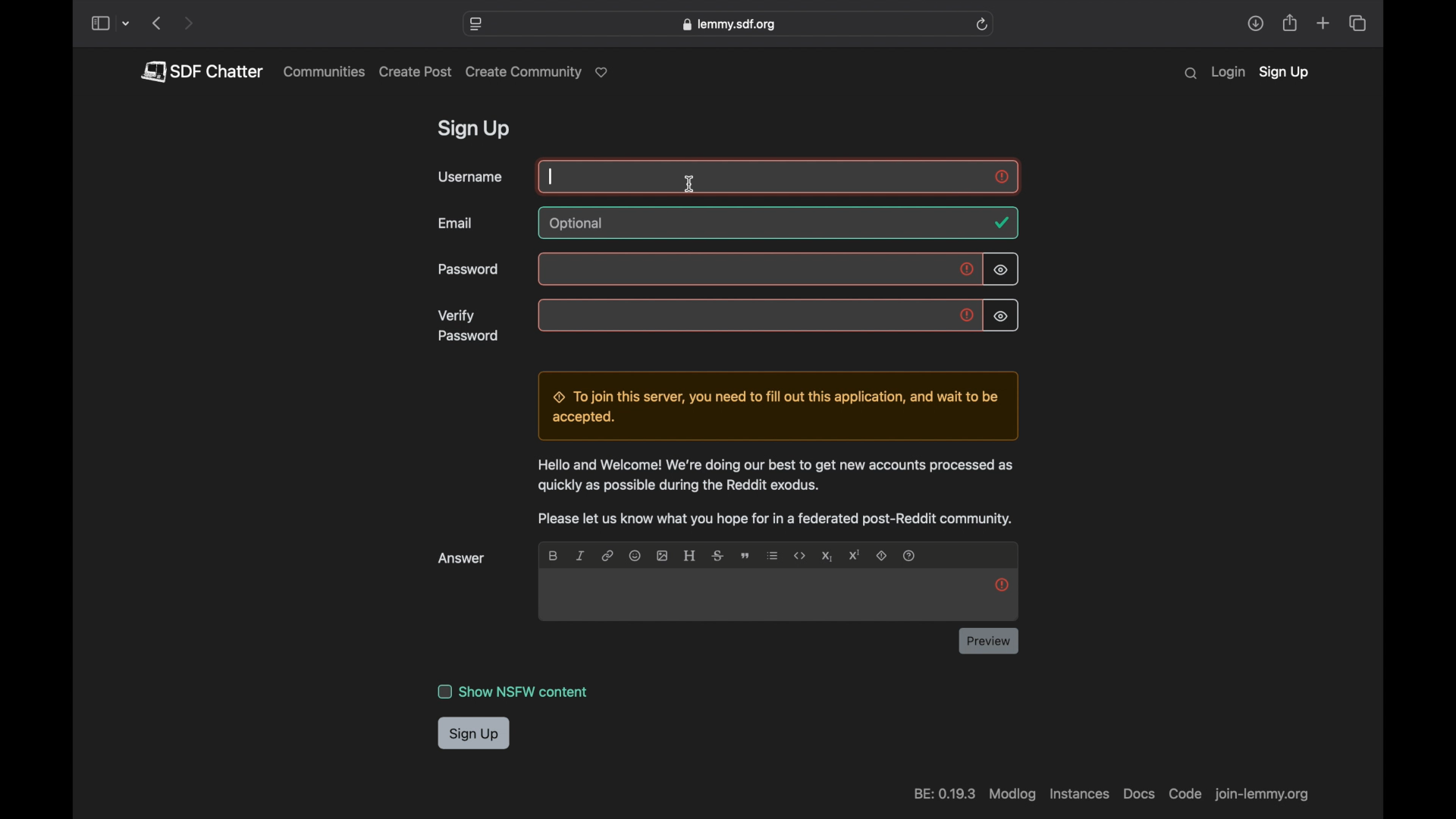 This screenshot has width=1456, height=819. What do you see at coordinates (661, 555) in the screenshot?
I see `image` at bounding box center [661, 555].